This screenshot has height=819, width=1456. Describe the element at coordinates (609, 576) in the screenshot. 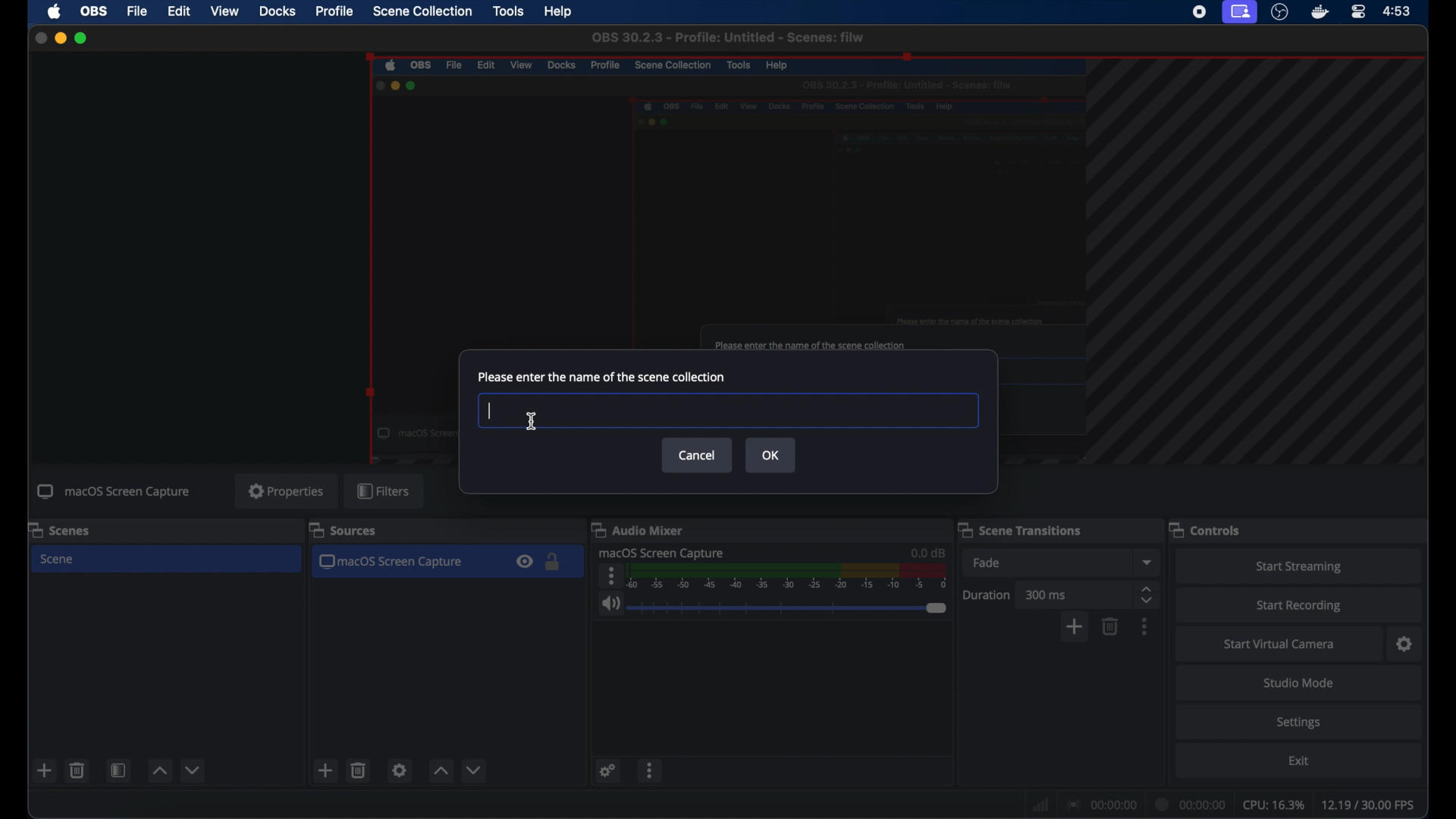

I see `more options` at that location.